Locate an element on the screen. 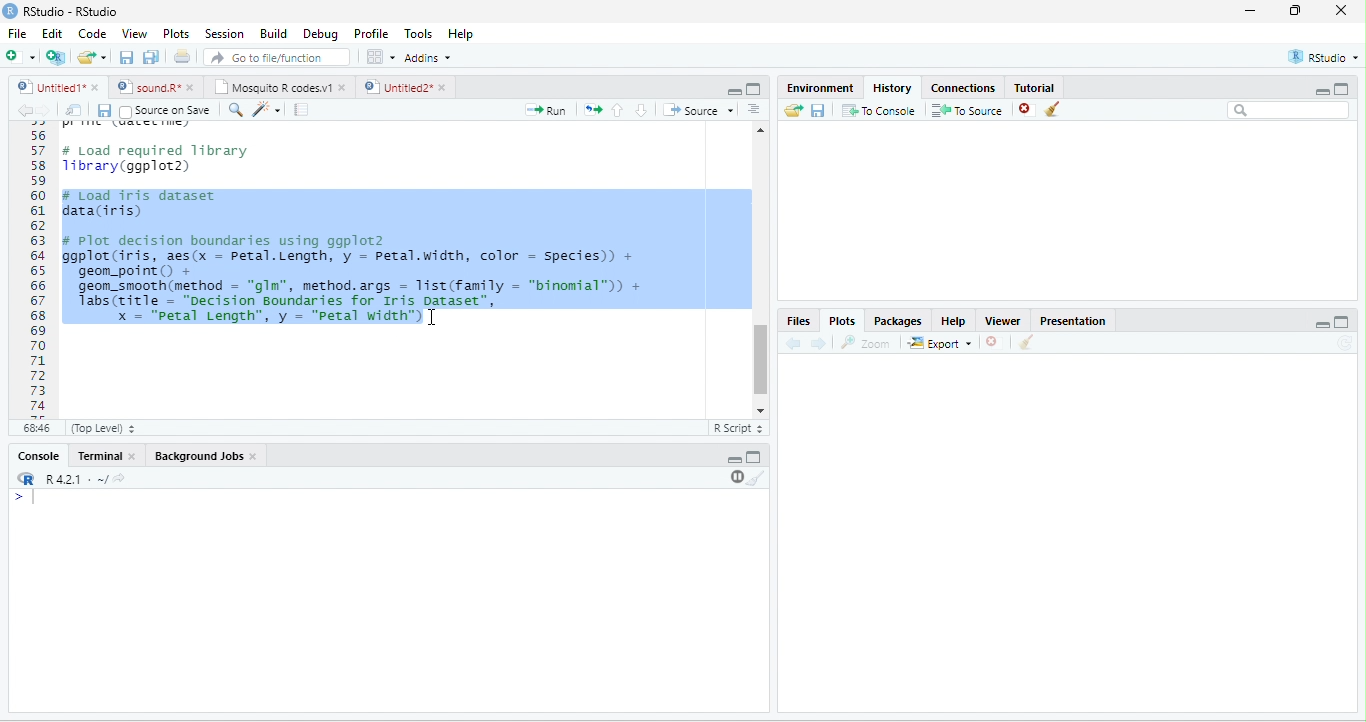 The width and height of the screenshot is (1366, 722). open file is located at coordinates (92, 57).